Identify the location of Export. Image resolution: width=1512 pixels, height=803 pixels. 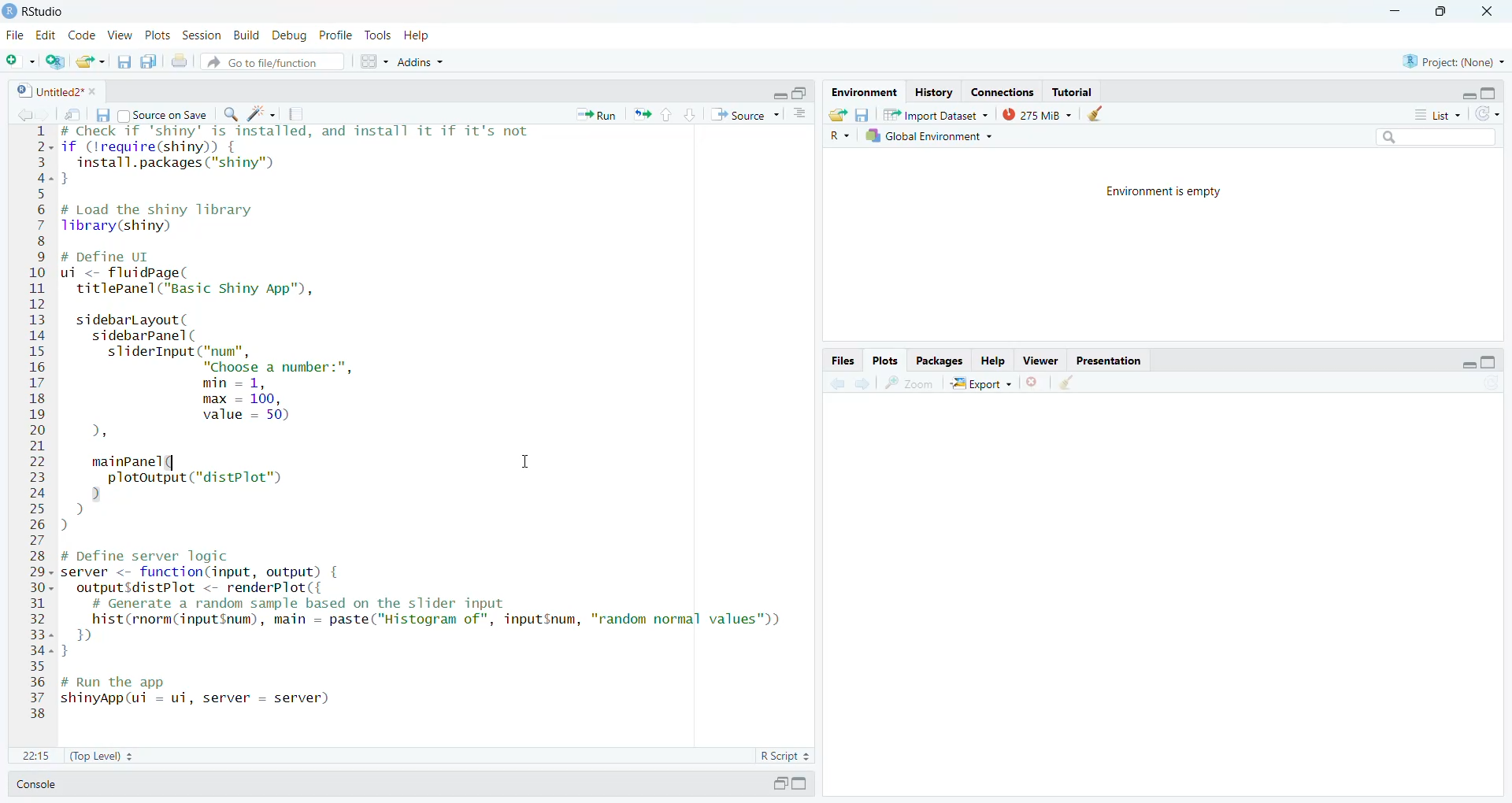
(980, 383).